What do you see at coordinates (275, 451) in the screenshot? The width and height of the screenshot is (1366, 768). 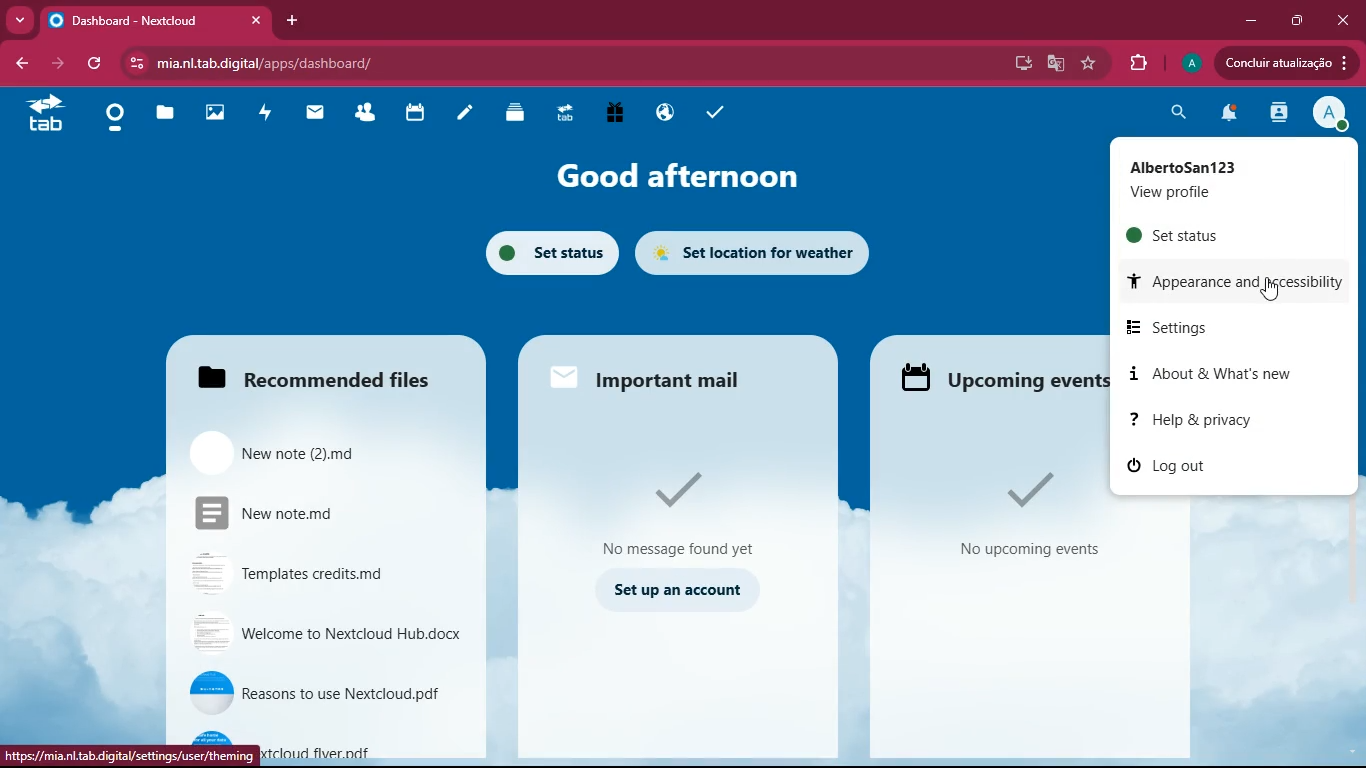 I see `New note (2).md` at bounding box center [275, 451].